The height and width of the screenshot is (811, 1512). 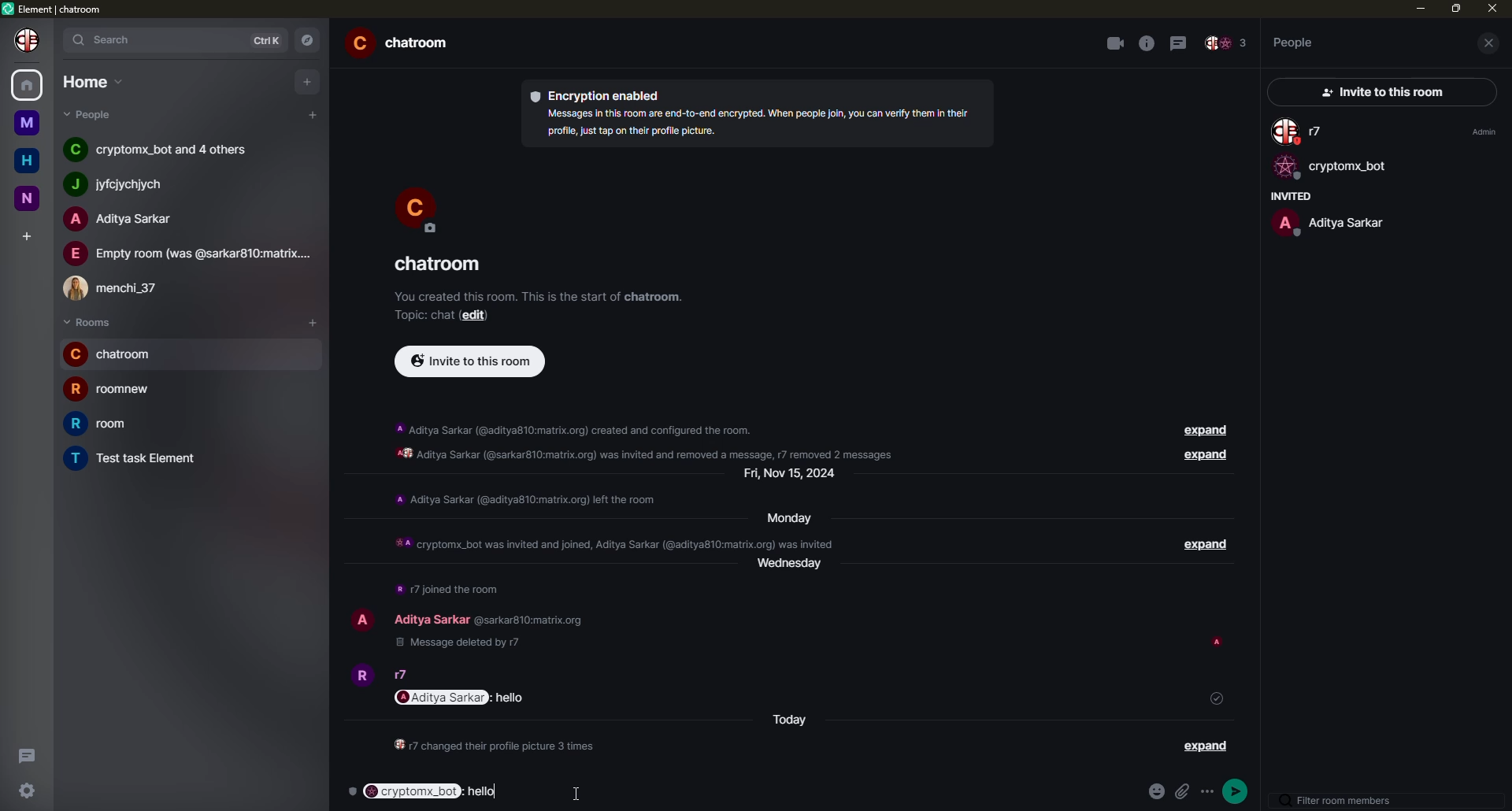 What do you see at coordinates (359, 673) in the screenshot?
I see `profile` at bounding box center [359, 673].